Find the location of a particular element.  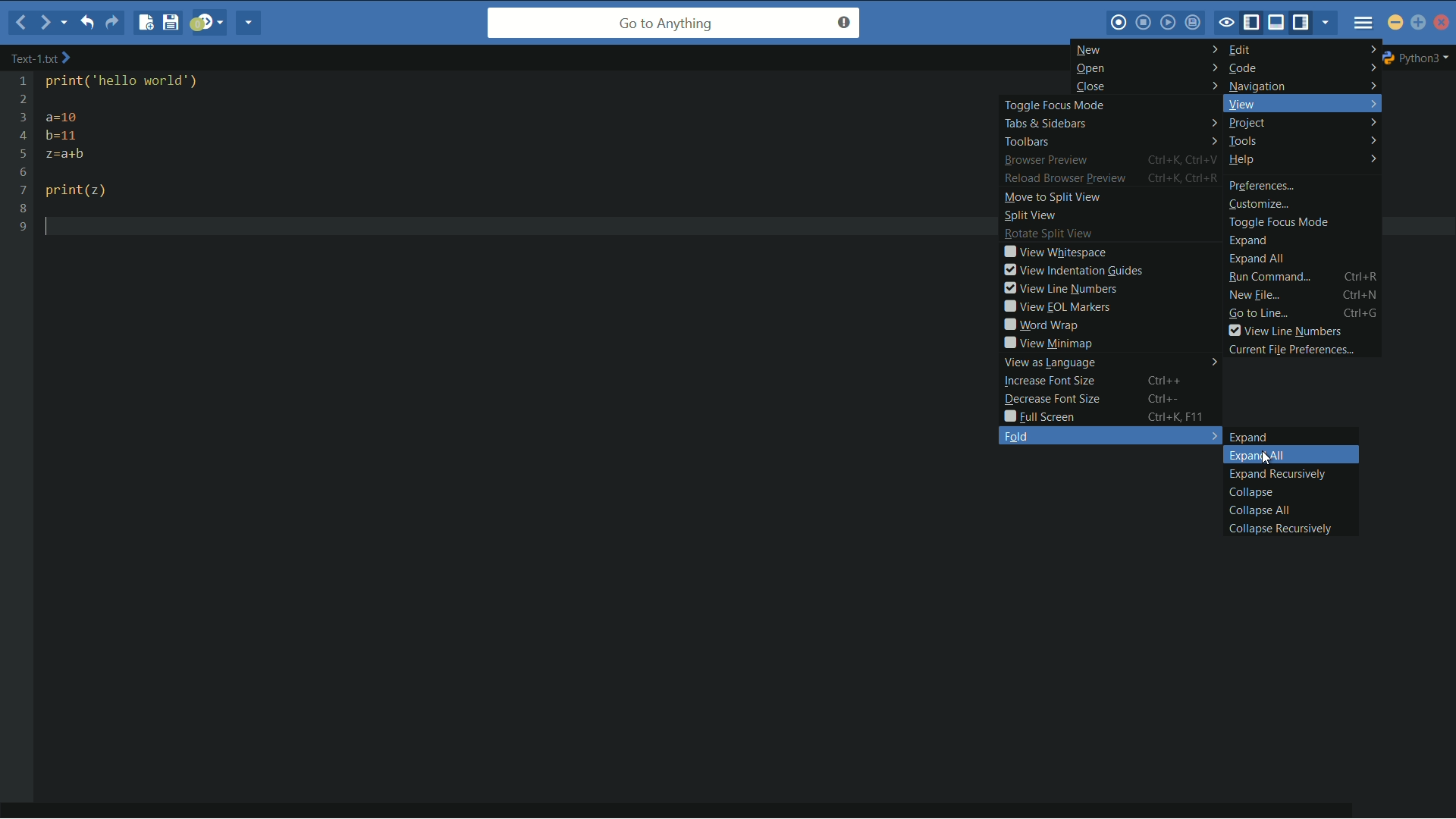

play last macro is located at coordinates (1170, 24).